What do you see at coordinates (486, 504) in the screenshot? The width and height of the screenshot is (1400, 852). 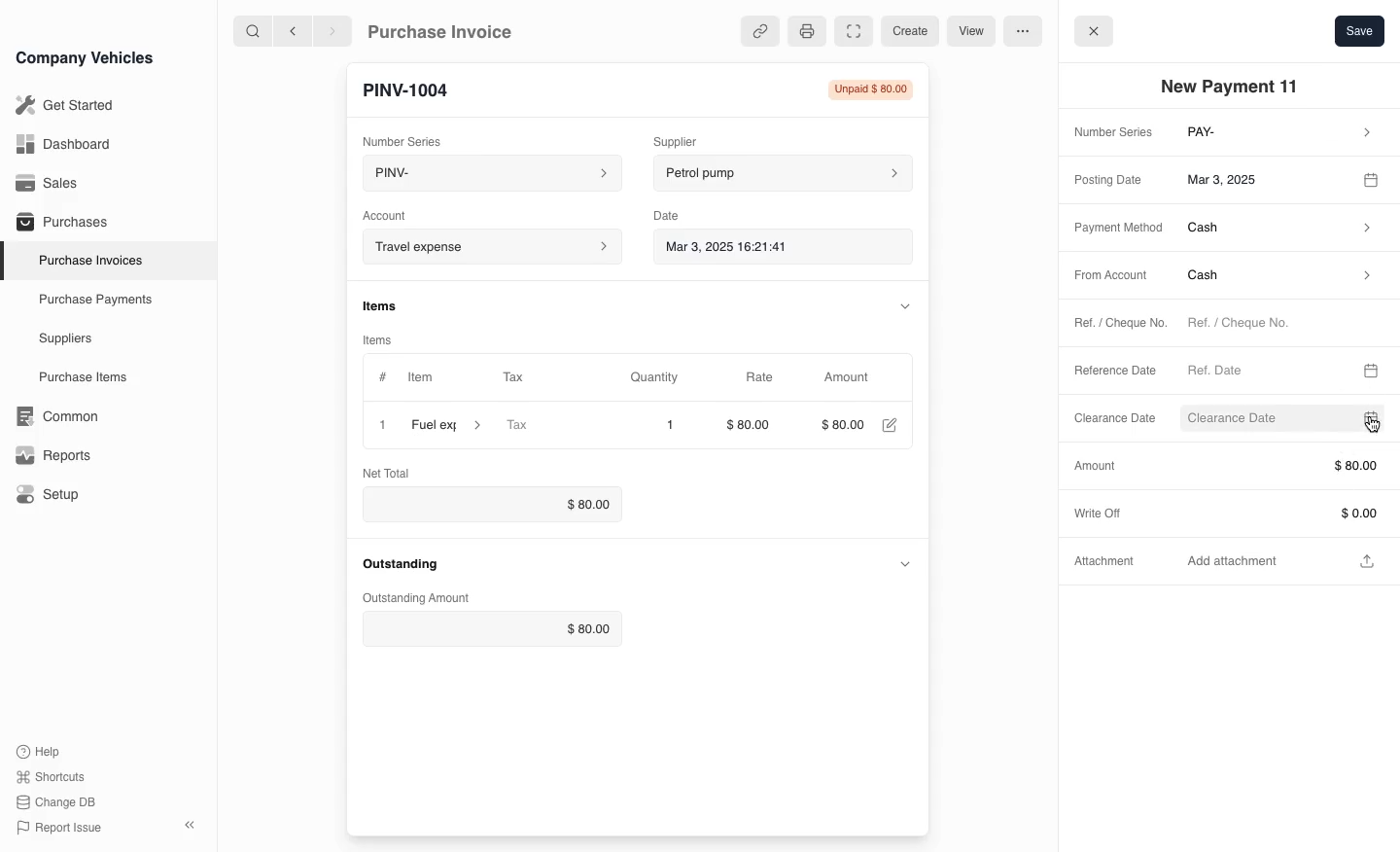 I see `$0.00` at bounding box center [486, 504].